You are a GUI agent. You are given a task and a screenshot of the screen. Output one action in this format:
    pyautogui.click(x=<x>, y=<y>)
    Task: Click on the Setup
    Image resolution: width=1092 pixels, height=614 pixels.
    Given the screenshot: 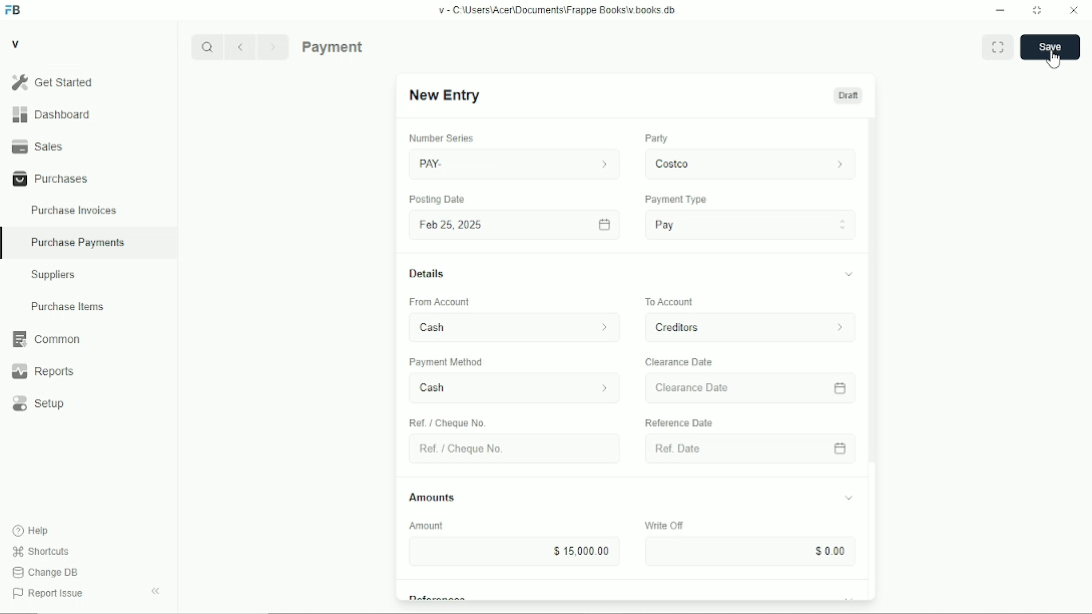 What is the action you would take?
    pyautogui.click(x=89, y=403)
    